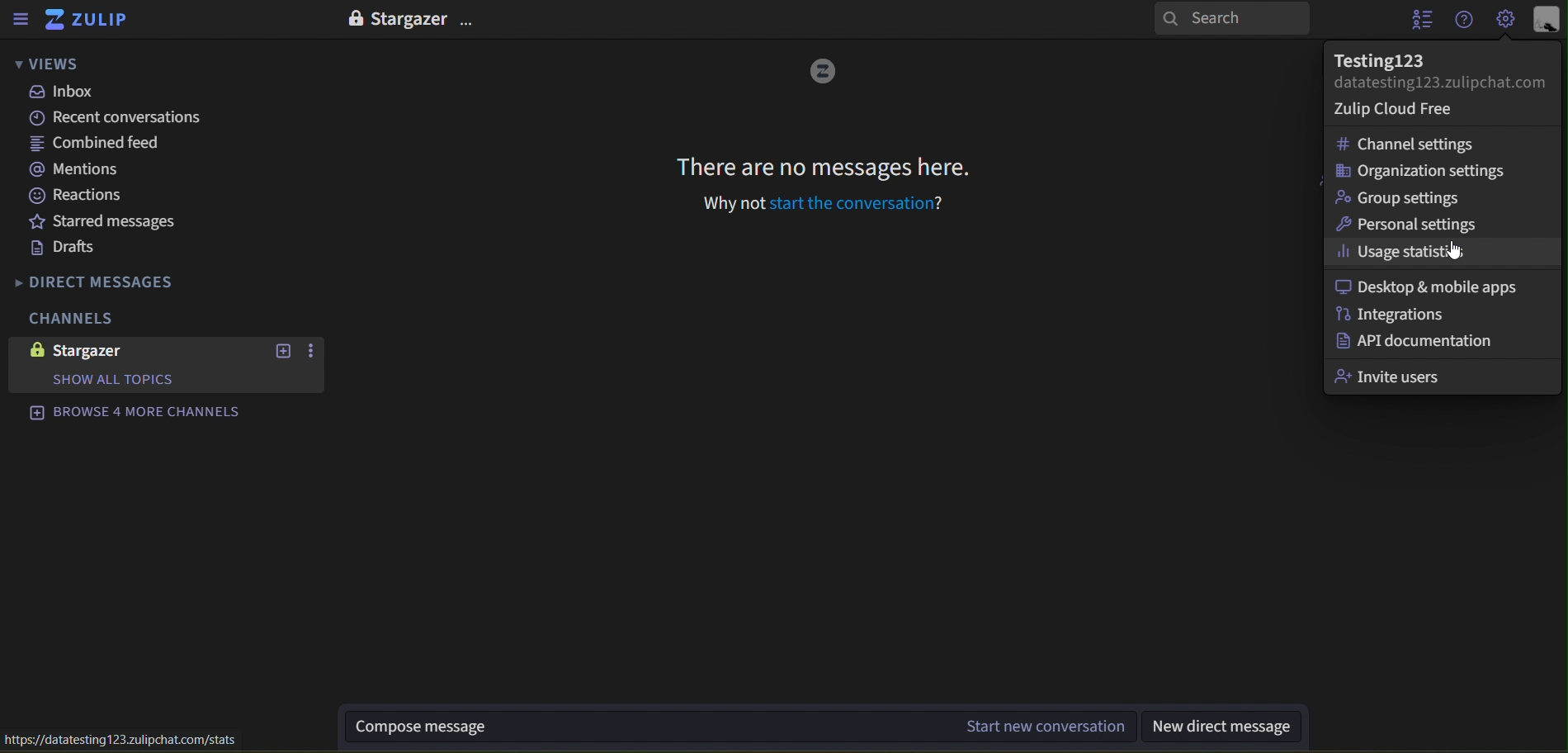 Image resolution: width=1568 pixels, height=753 pixels. Describe the element at coordinates (58, 63) in the screenshot. I see `views` at that location.